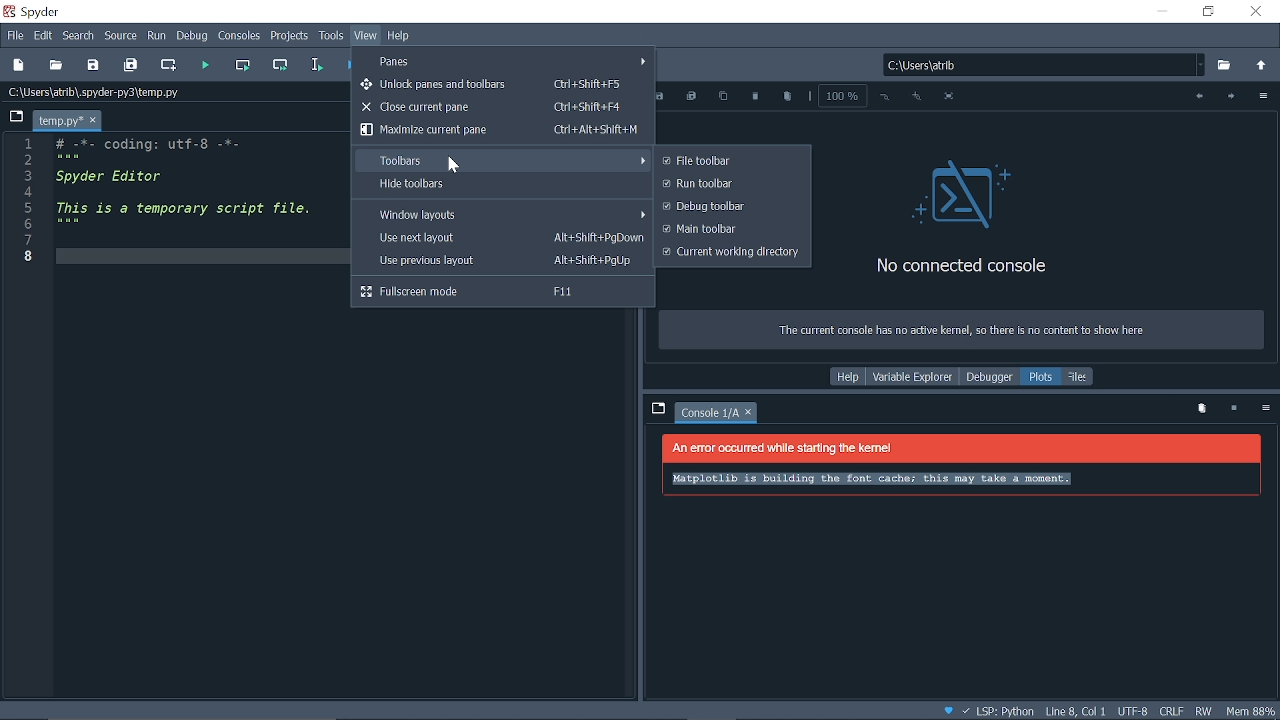 The height and width of the screenshot is (720, 1280). I want to click on Browse a working directory, so click(1226, 66).